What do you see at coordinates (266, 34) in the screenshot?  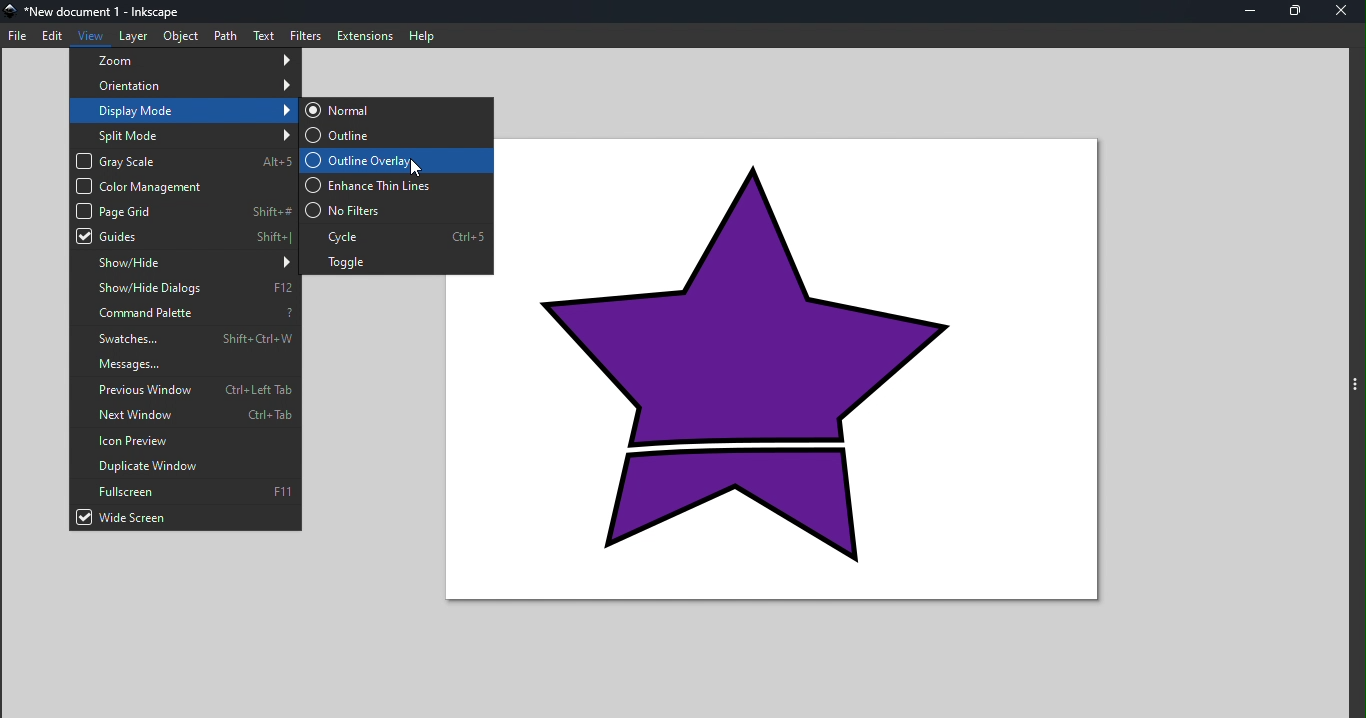 I see `Text` at bounding box center [266, 34].